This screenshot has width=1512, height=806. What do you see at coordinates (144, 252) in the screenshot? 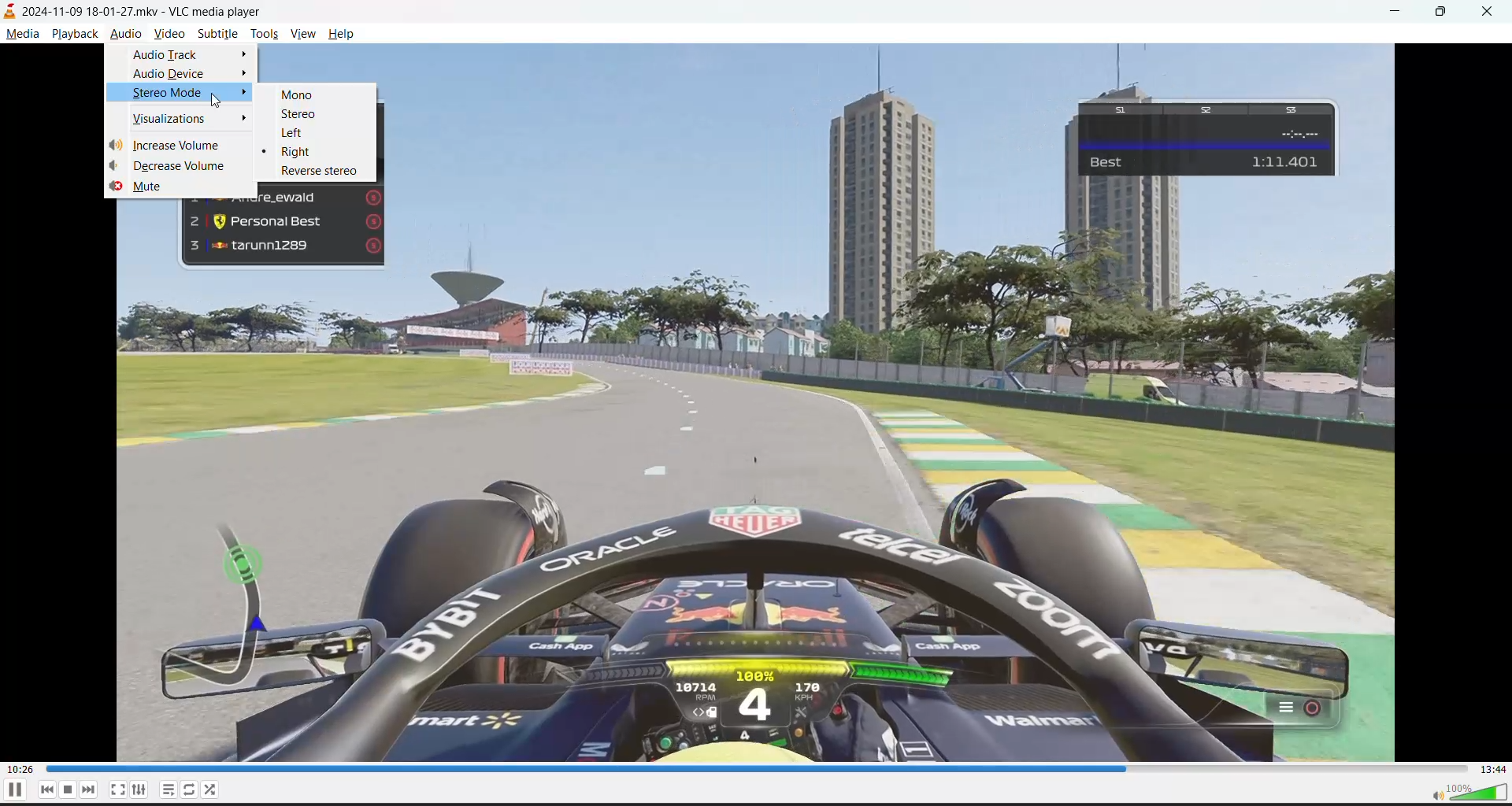
I see `preview` at bounding box center [144, 252].